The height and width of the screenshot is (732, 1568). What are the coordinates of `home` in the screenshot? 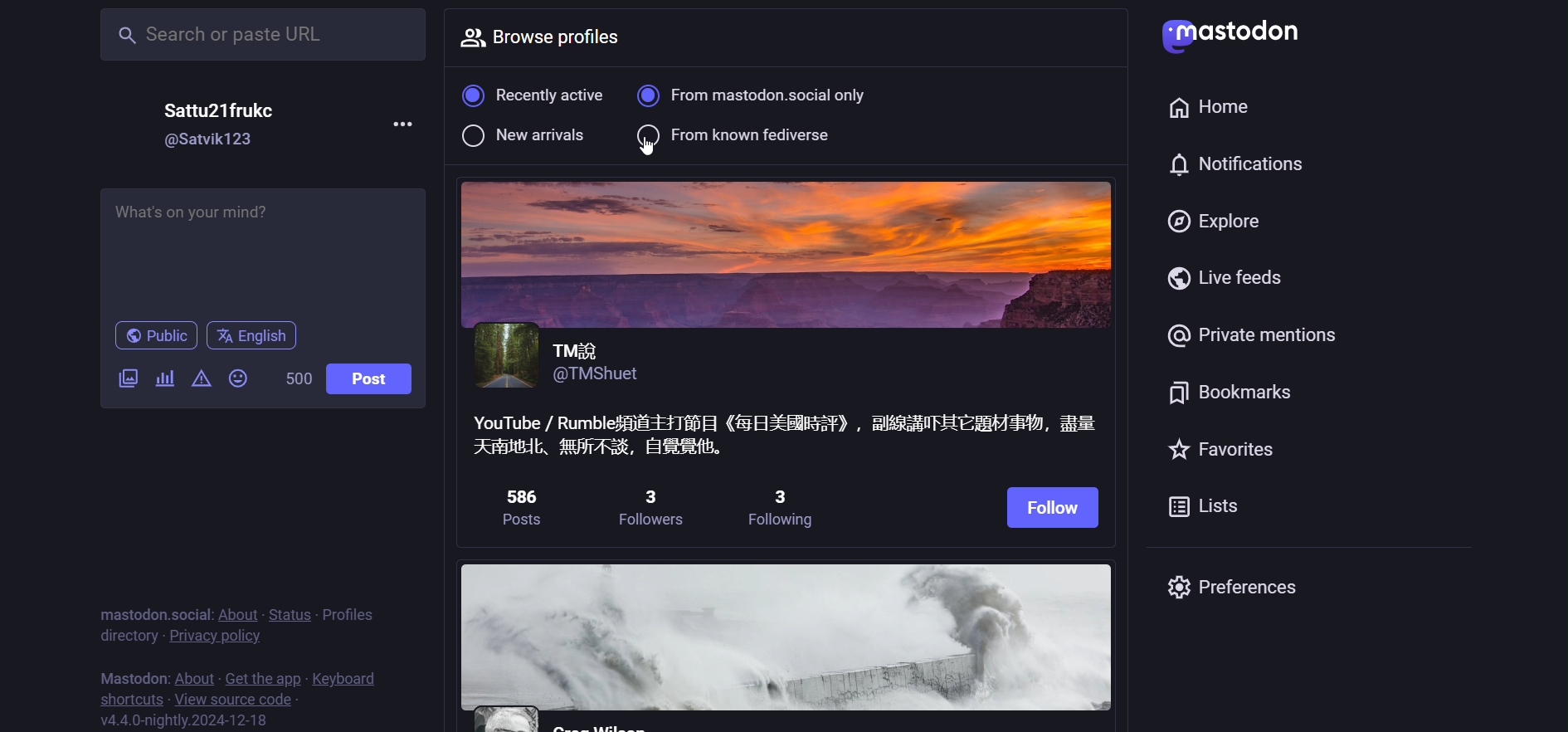 It's located at (1214, 109).